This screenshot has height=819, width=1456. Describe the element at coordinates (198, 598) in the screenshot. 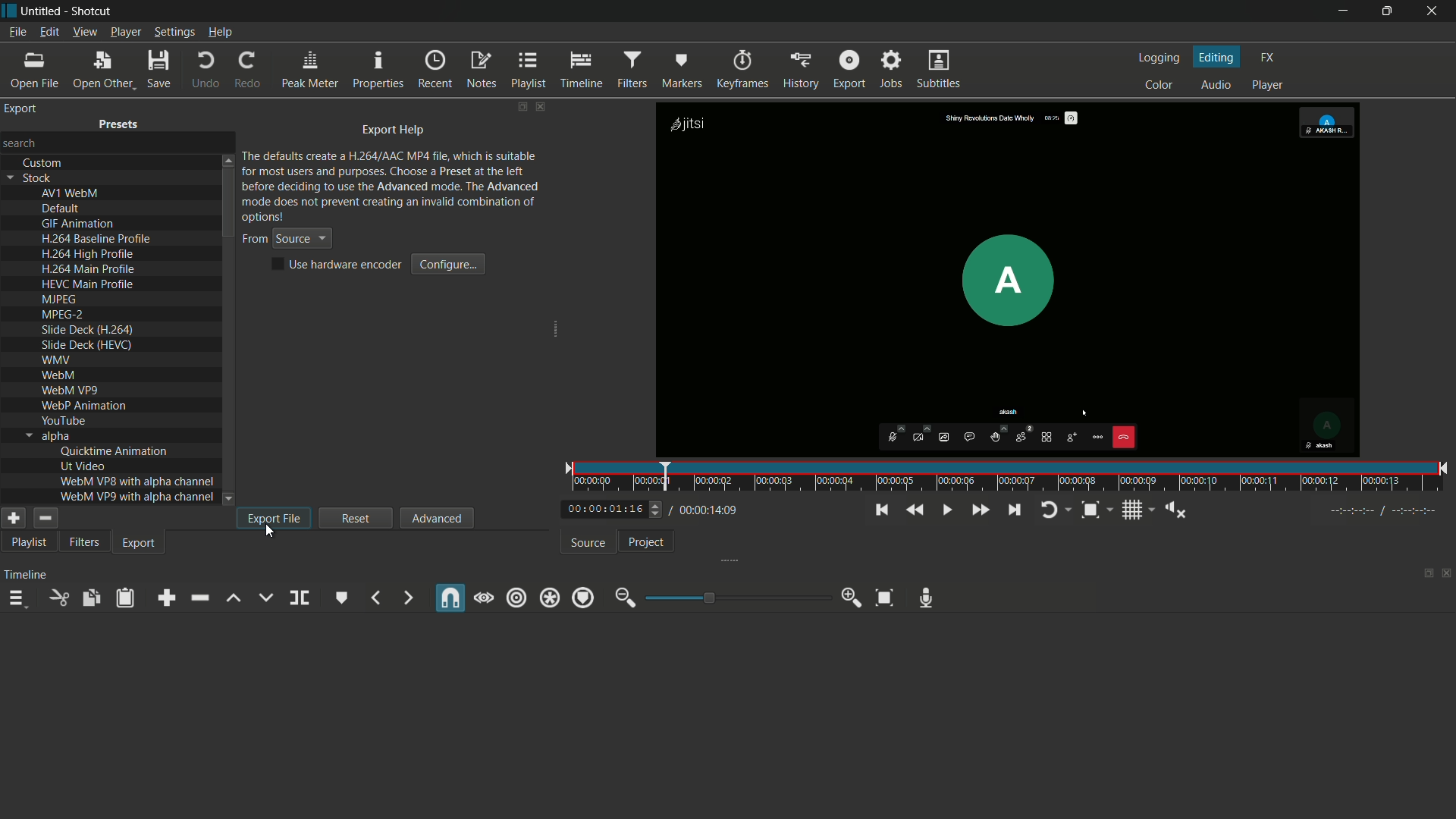

I see `ripple delete` at that location.